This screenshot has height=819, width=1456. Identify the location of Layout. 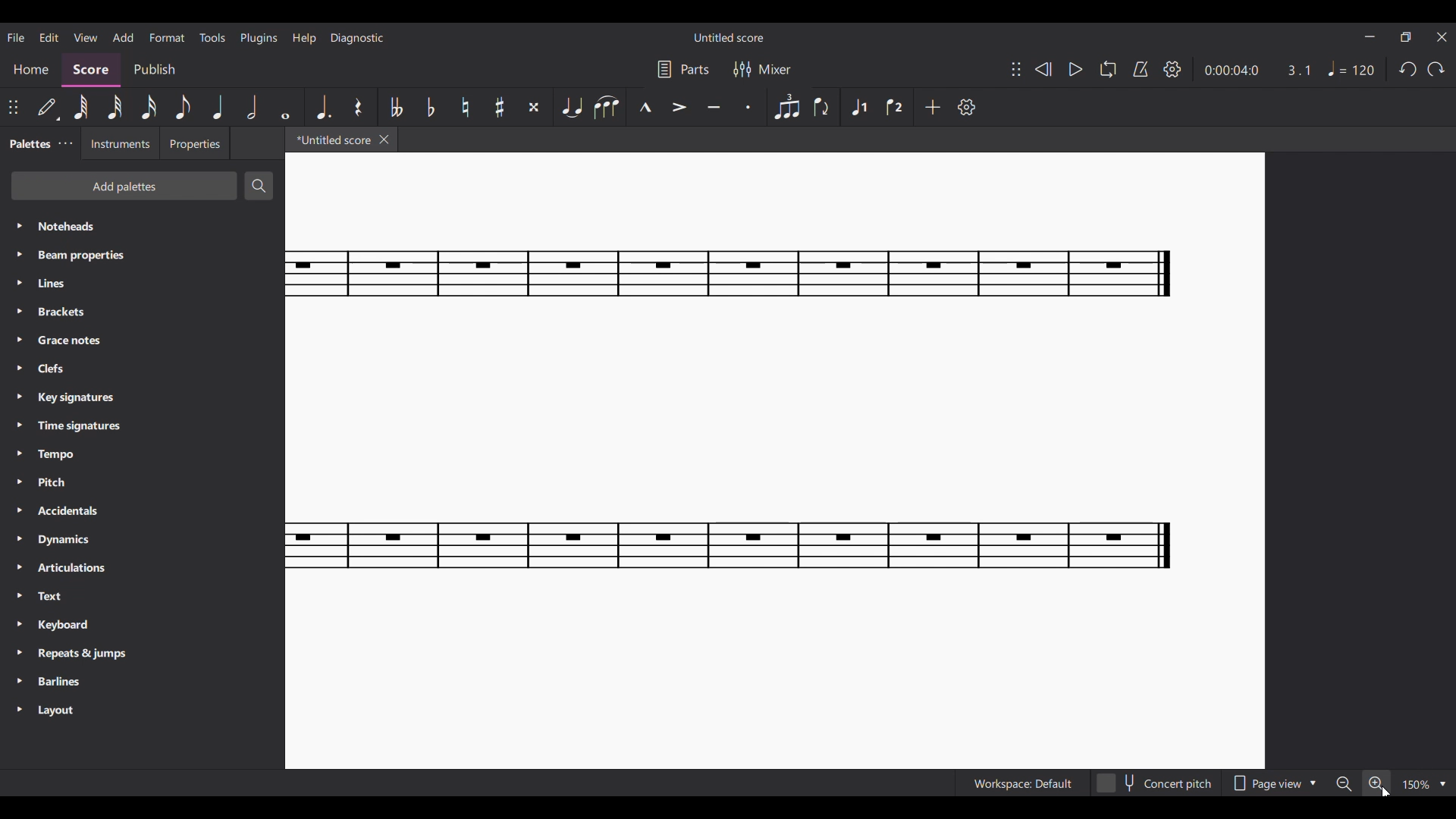
(142, 709).